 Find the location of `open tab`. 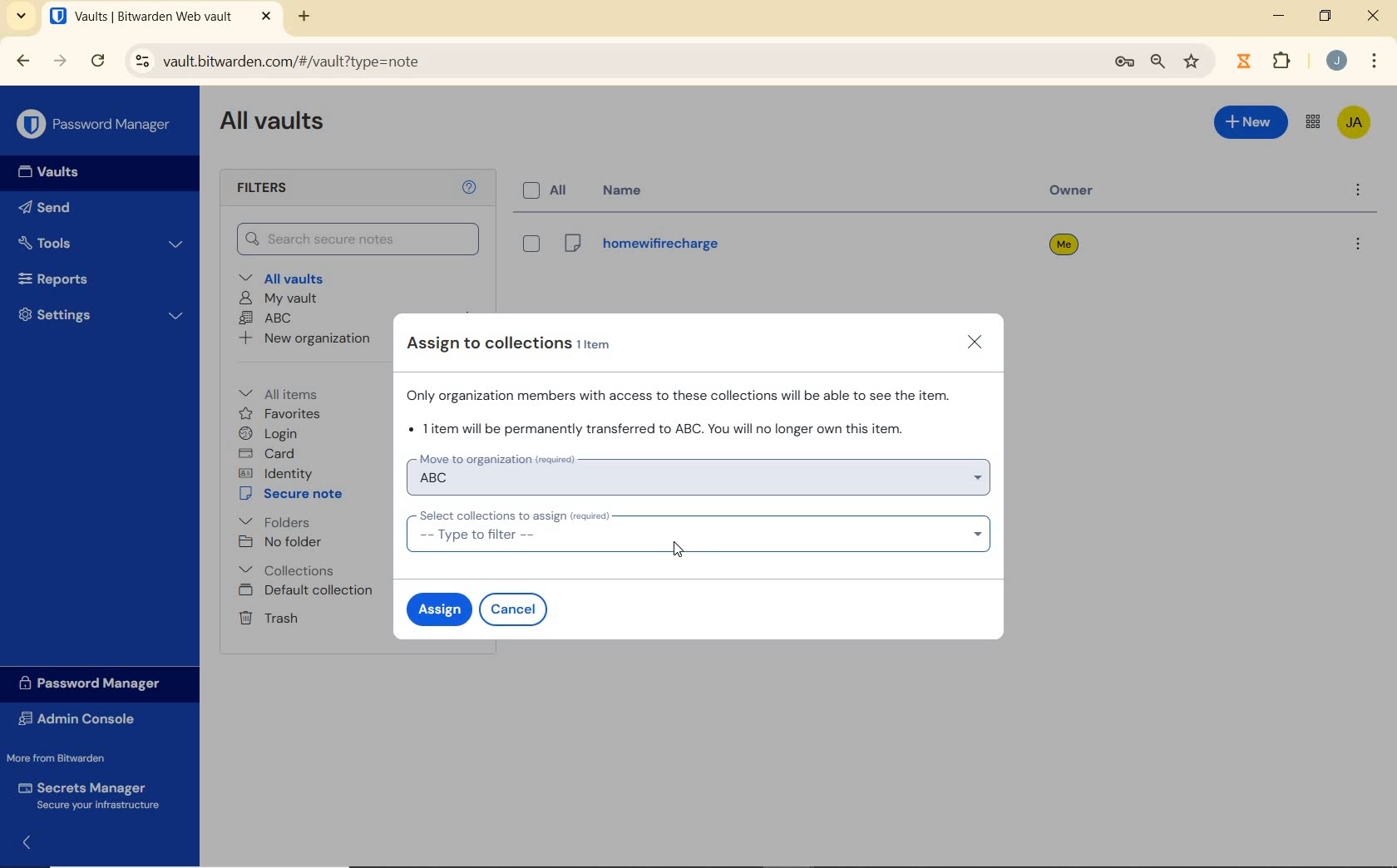

open tab is located at coordinates (160, 16).